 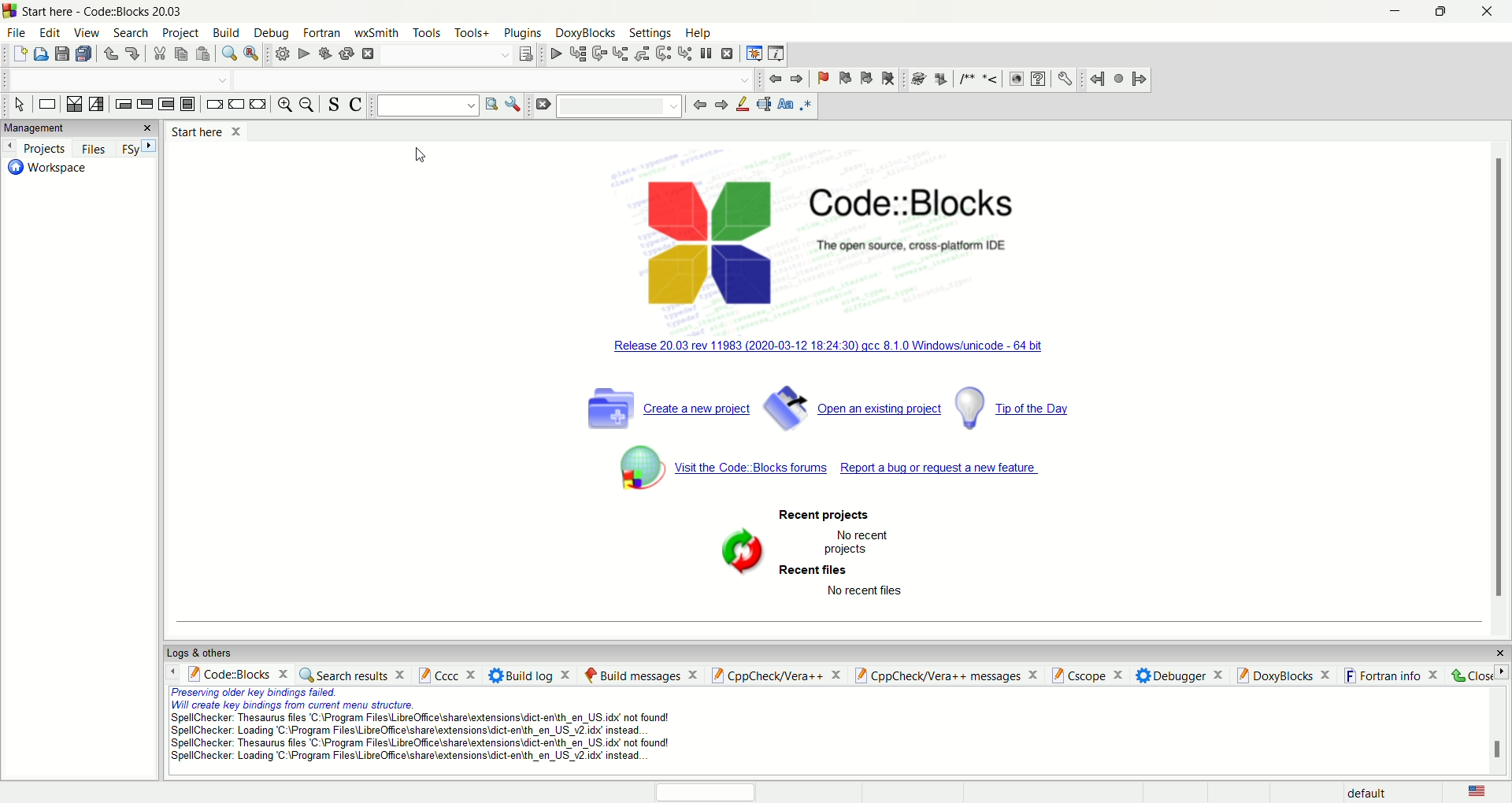 I want to click on instruction, so click(x=46, y=106).